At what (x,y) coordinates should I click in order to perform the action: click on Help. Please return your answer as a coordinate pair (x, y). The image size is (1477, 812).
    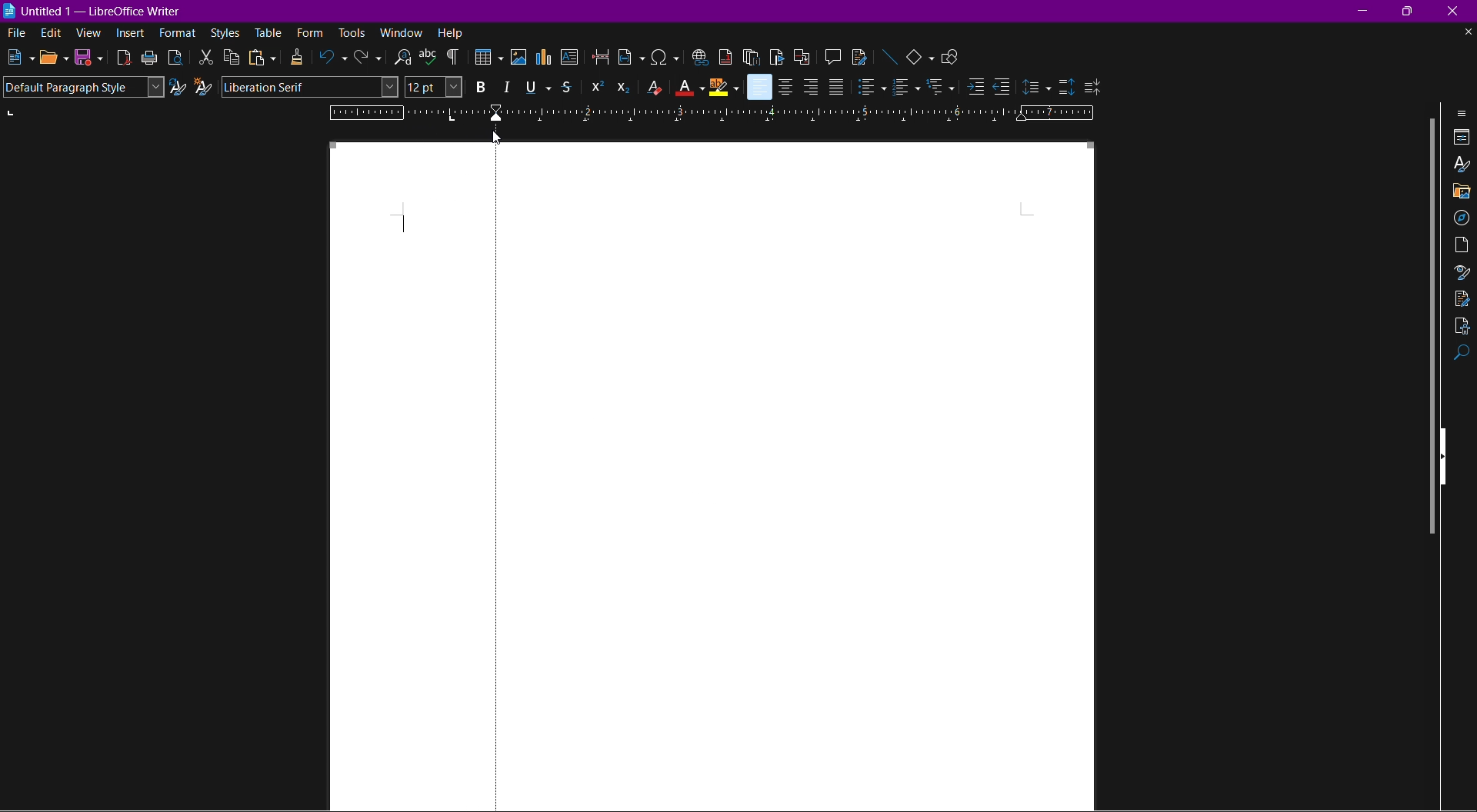
    Looking at the image, I should click on (452, 32).